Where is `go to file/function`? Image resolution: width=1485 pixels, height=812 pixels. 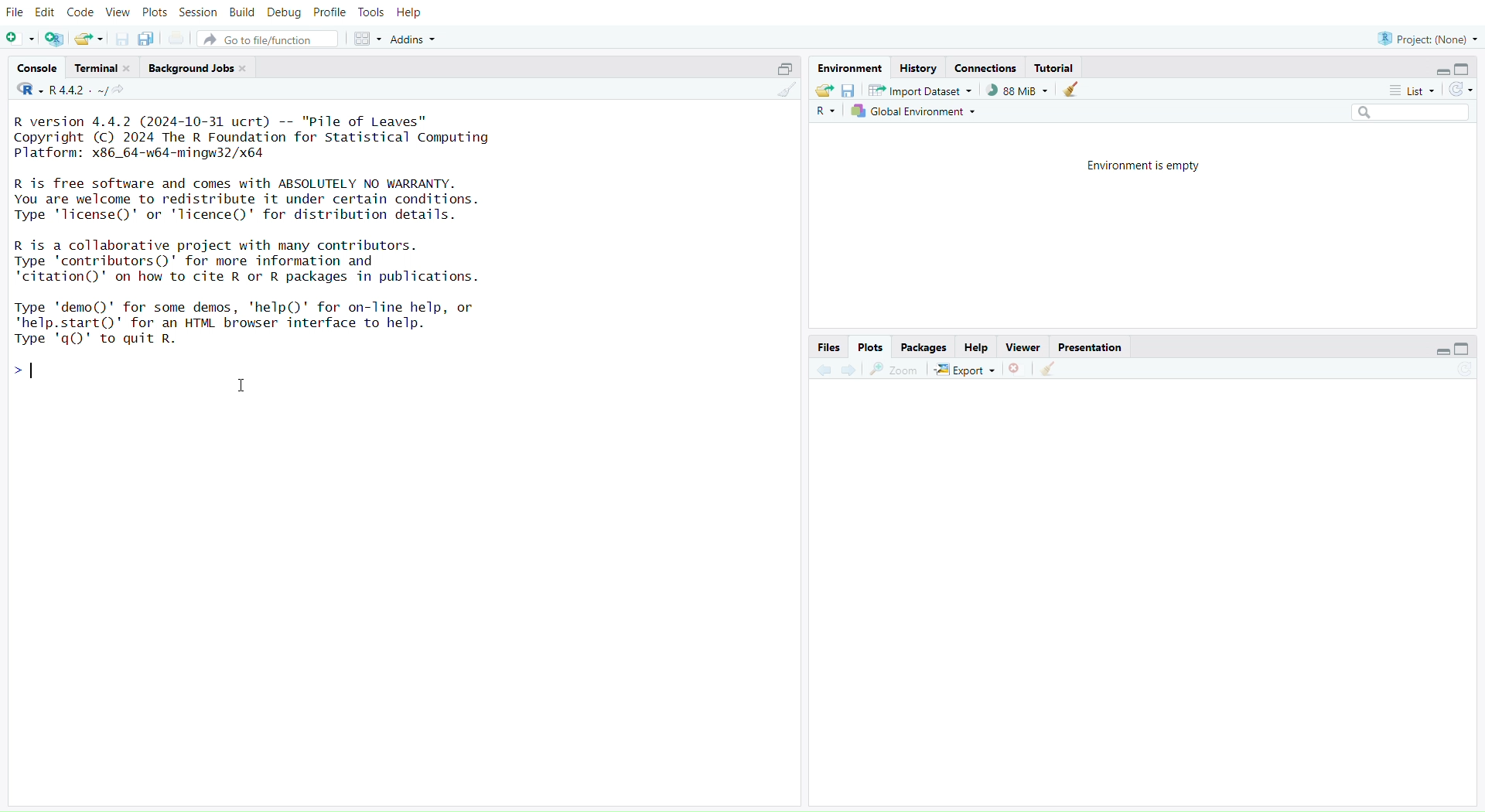 go to file/function is located at coordinates (268, 39).